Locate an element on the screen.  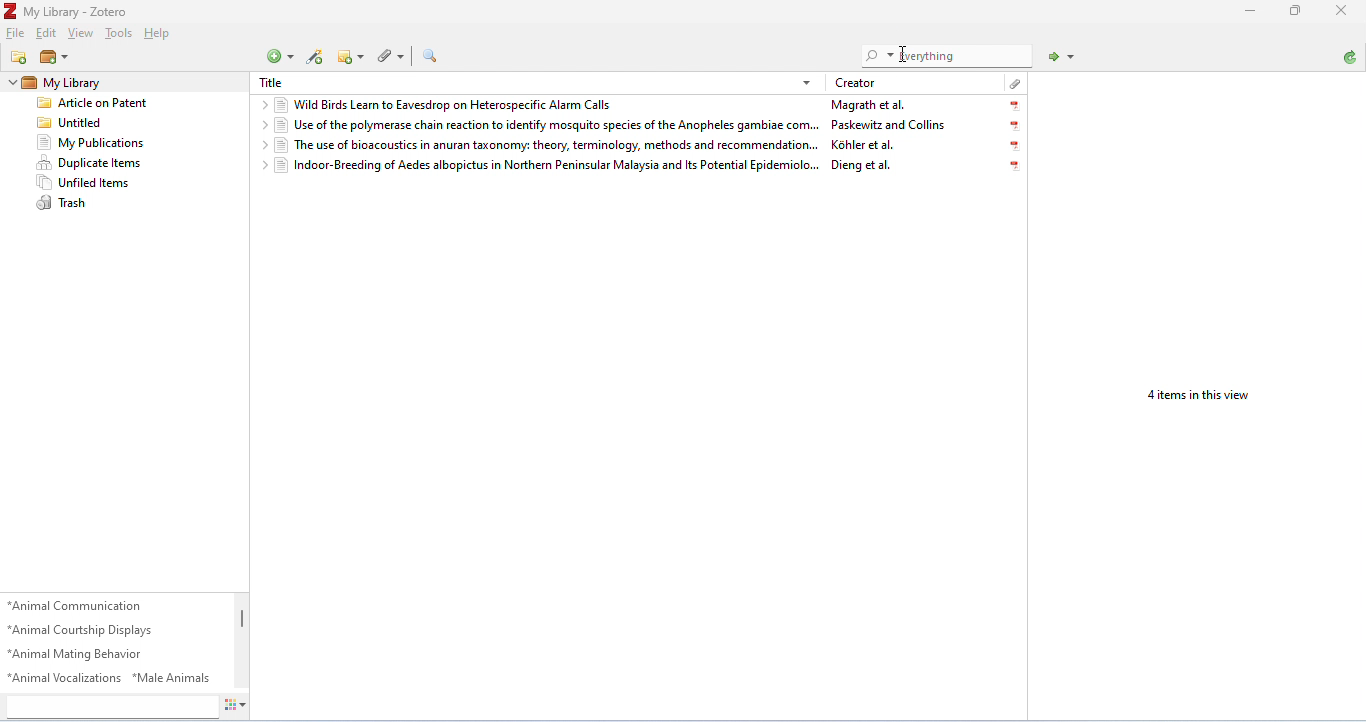
Advanced Search is located at coordinates (429, 56).